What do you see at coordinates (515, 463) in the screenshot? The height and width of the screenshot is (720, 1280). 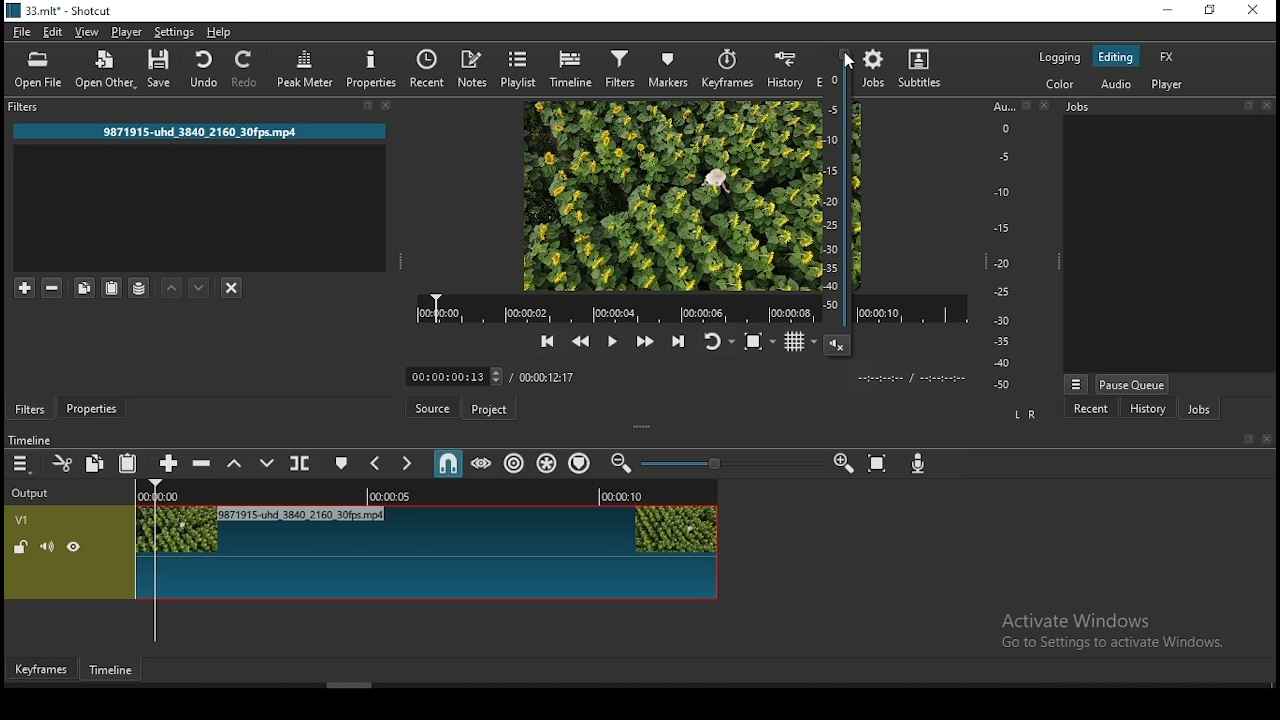 I see `ripple` at bounding box center [515, 463].